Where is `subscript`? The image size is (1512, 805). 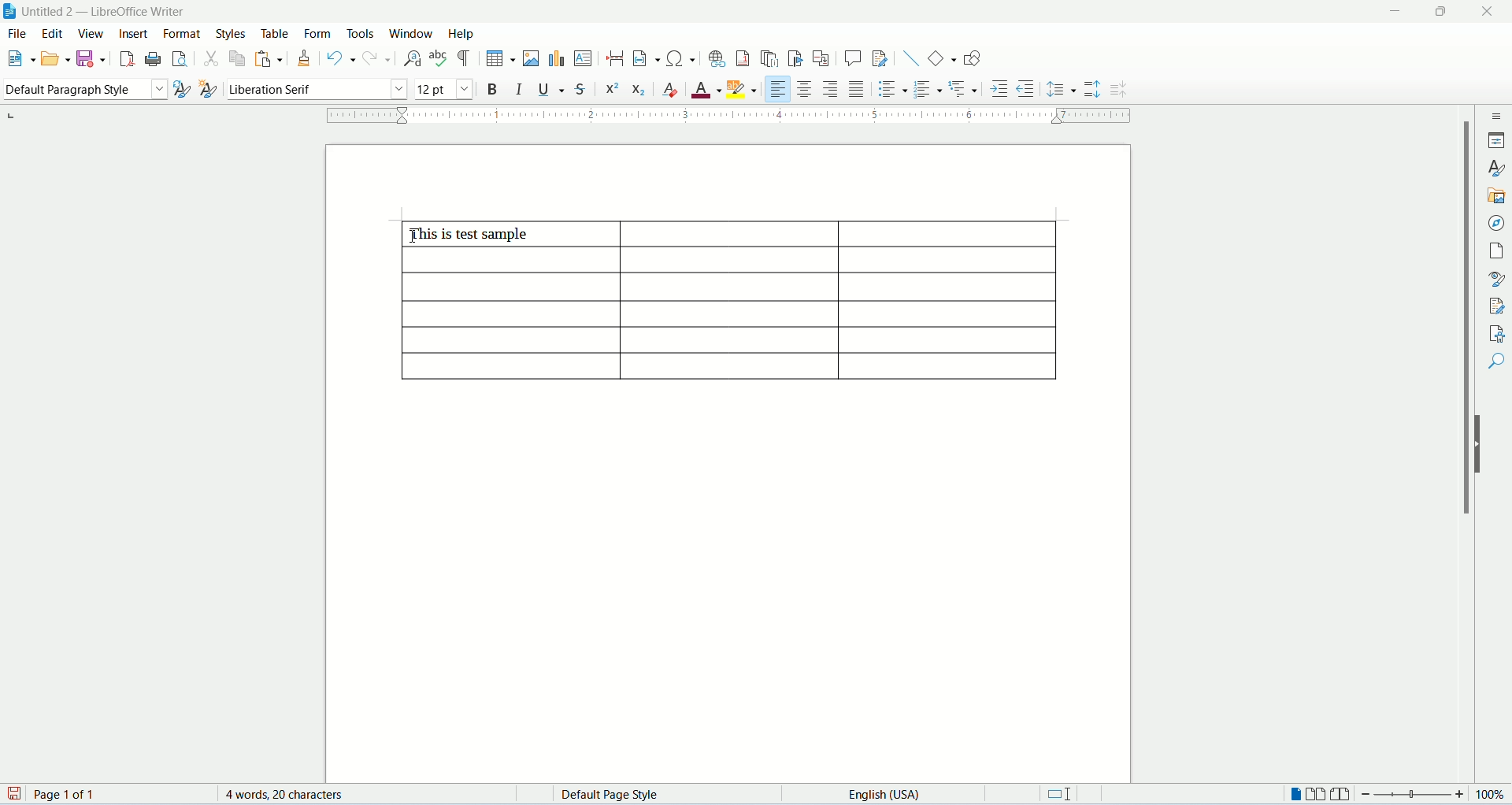 subscript is located at coordinates (636, 91).